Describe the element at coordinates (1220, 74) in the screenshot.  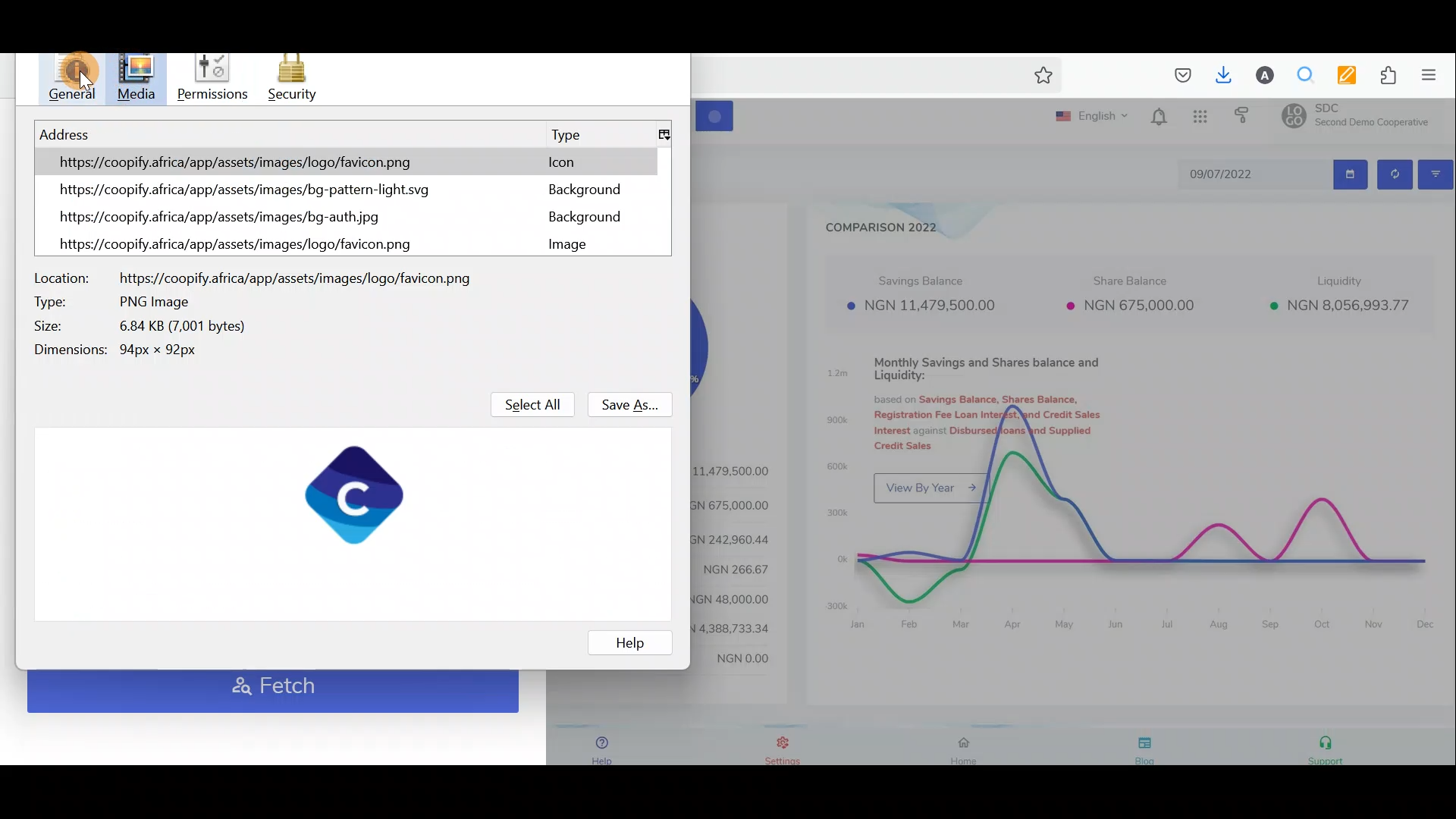
I see `Downloads` at that location.